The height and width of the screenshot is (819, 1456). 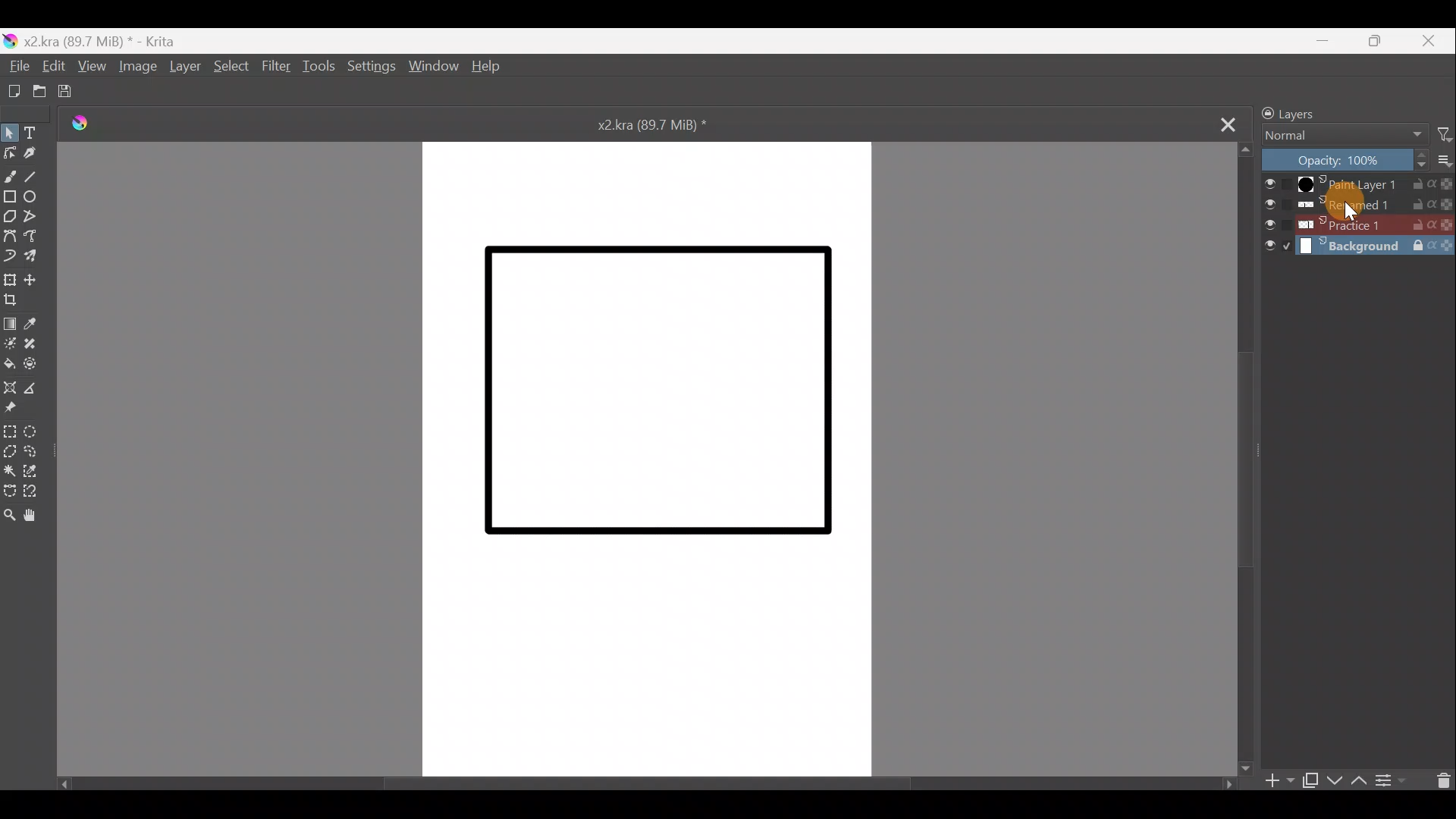 I want to click on Contiguous selection tool, so click(x=11, y=469).